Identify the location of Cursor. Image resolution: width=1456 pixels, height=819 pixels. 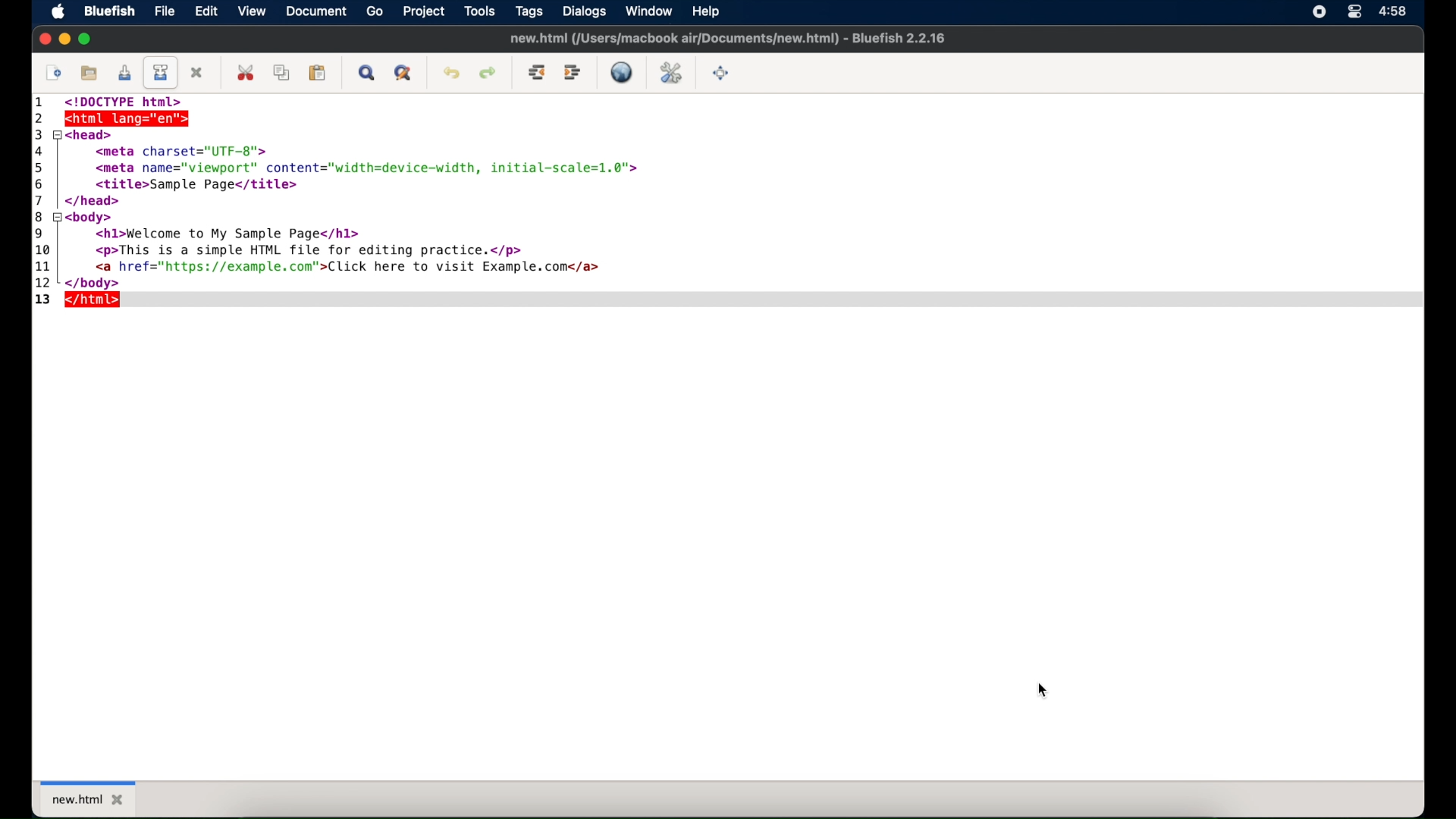
(1047, 691).